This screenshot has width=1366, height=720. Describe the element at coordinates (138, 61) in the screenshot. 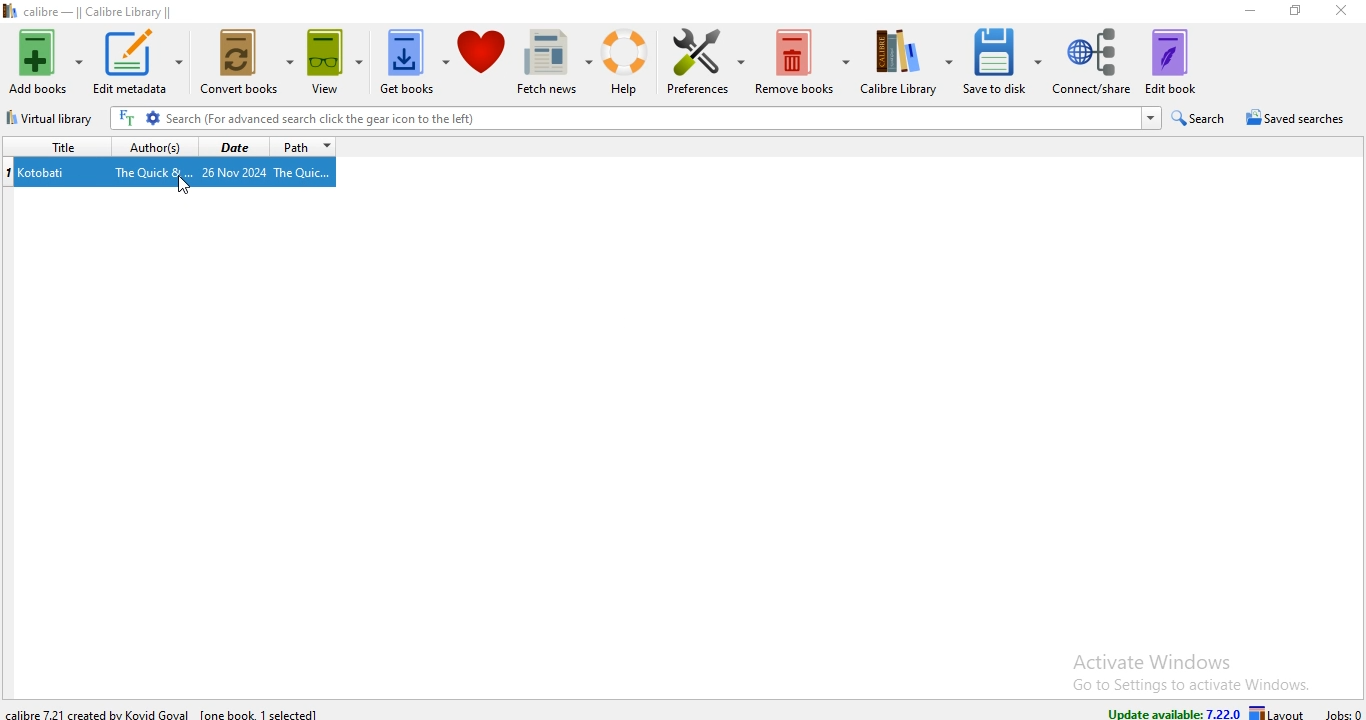

I see `edit metadata` at that location.